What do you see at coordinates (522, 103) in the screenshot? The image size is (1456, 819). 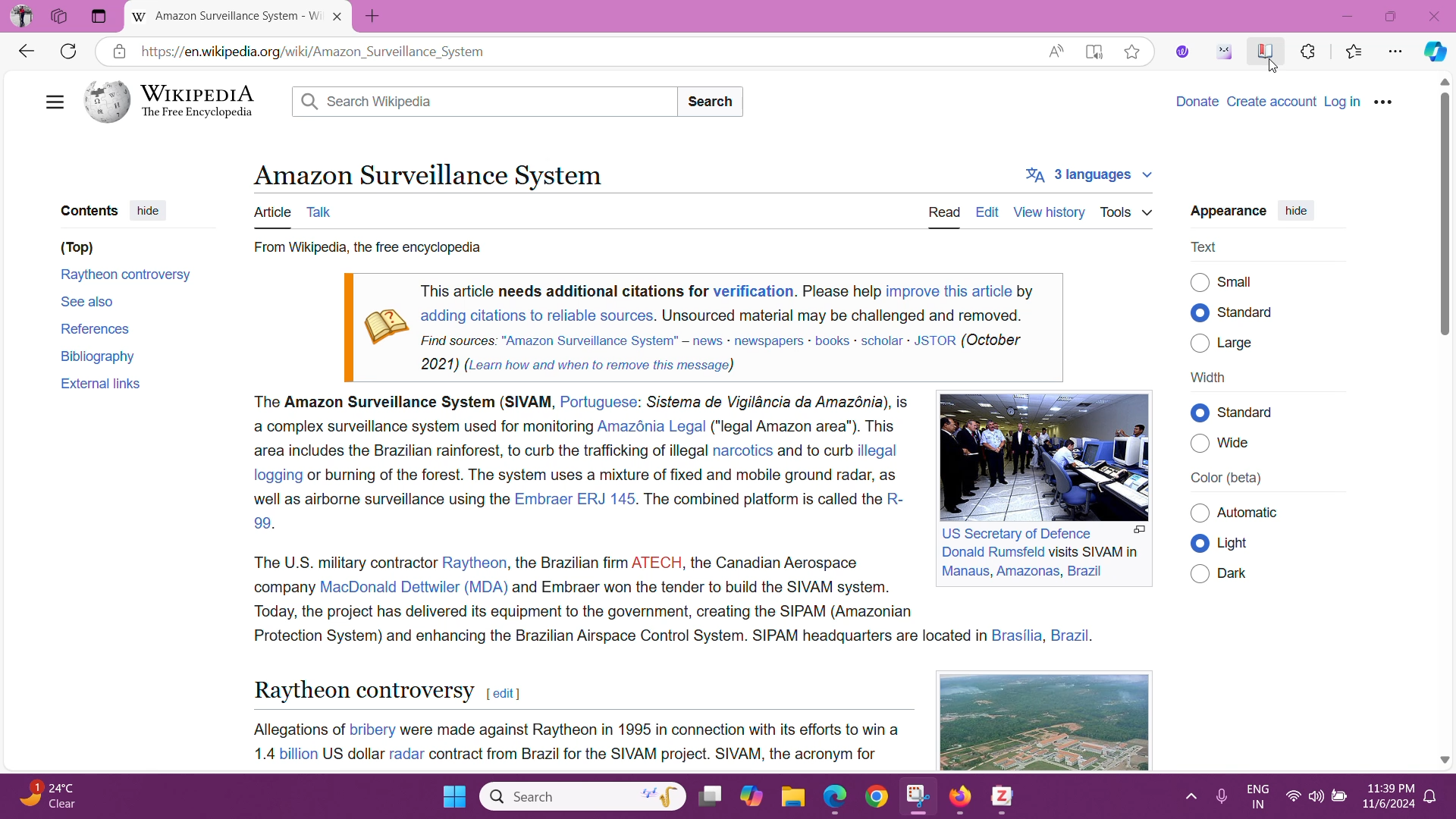 I see `Q_ search Wikipedia Search` at bounding box center [522, 103].